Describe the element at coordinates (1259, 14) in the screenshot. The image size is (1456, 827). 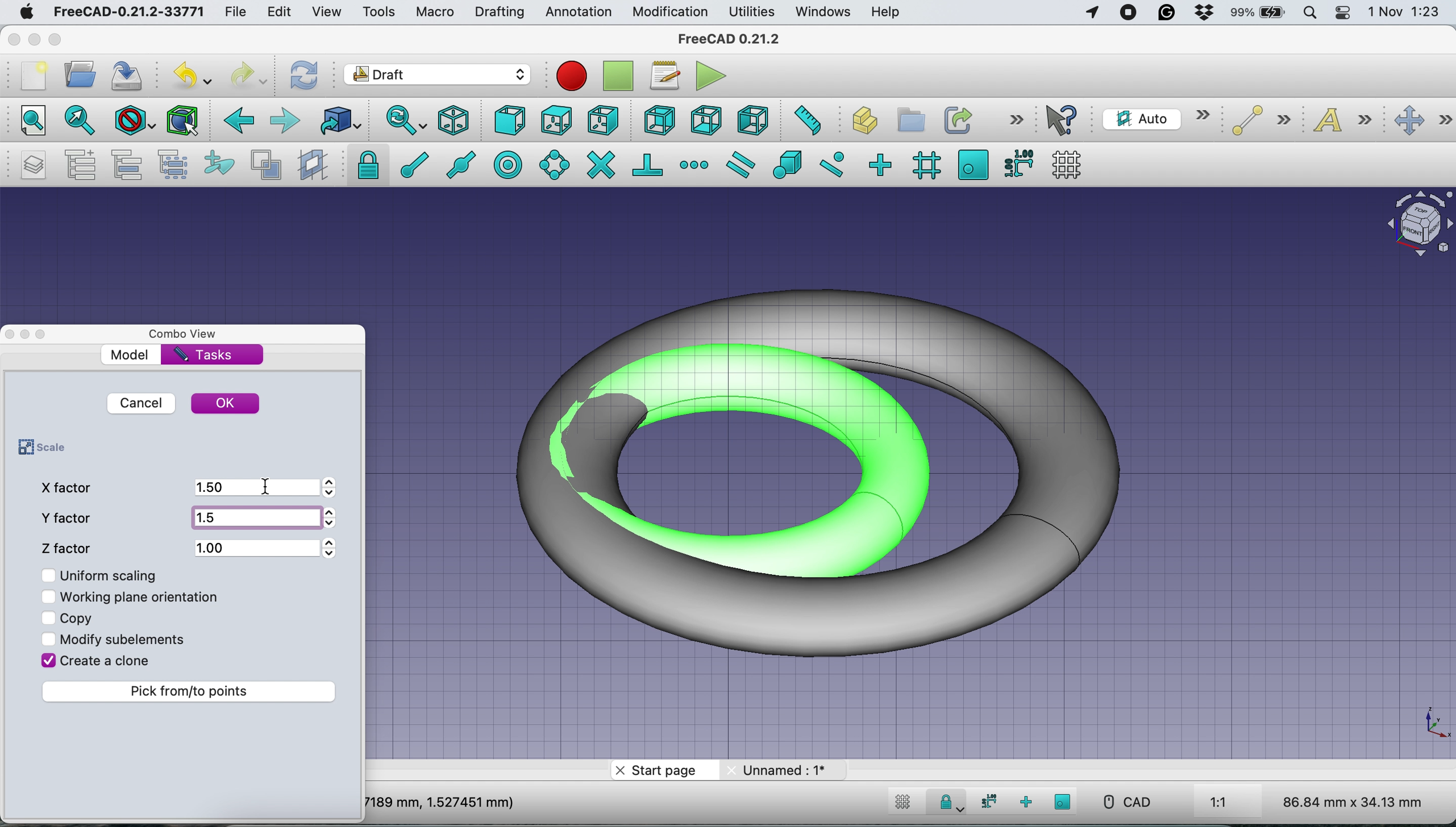
I see `battery` at that location.